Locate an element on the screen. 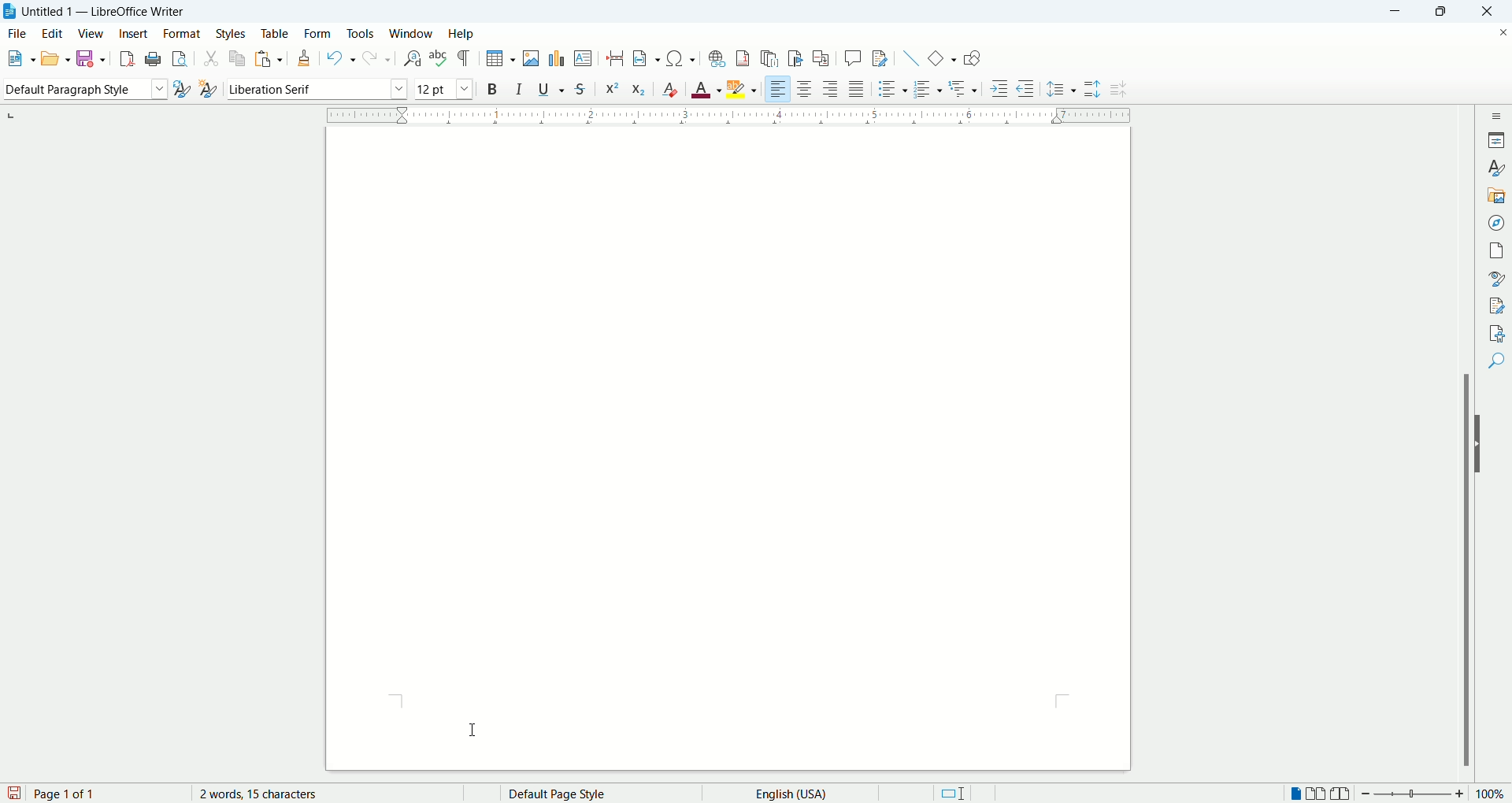 The image size is (1512, 803). line spacing is located at coordinates (1062, 91).